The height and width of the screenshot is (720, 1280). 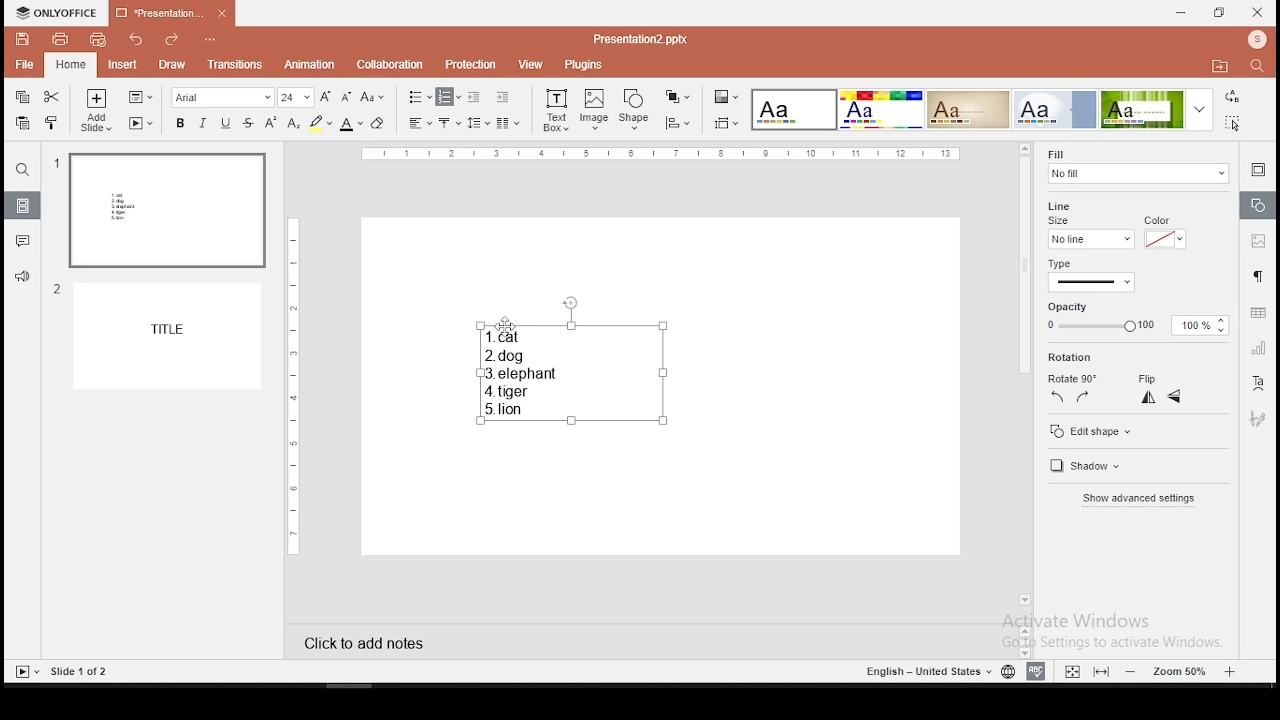 What do you see at coordinates (1258, 172) in the screenshot?
I see `slide settings` at bounding box center [1258, 172].